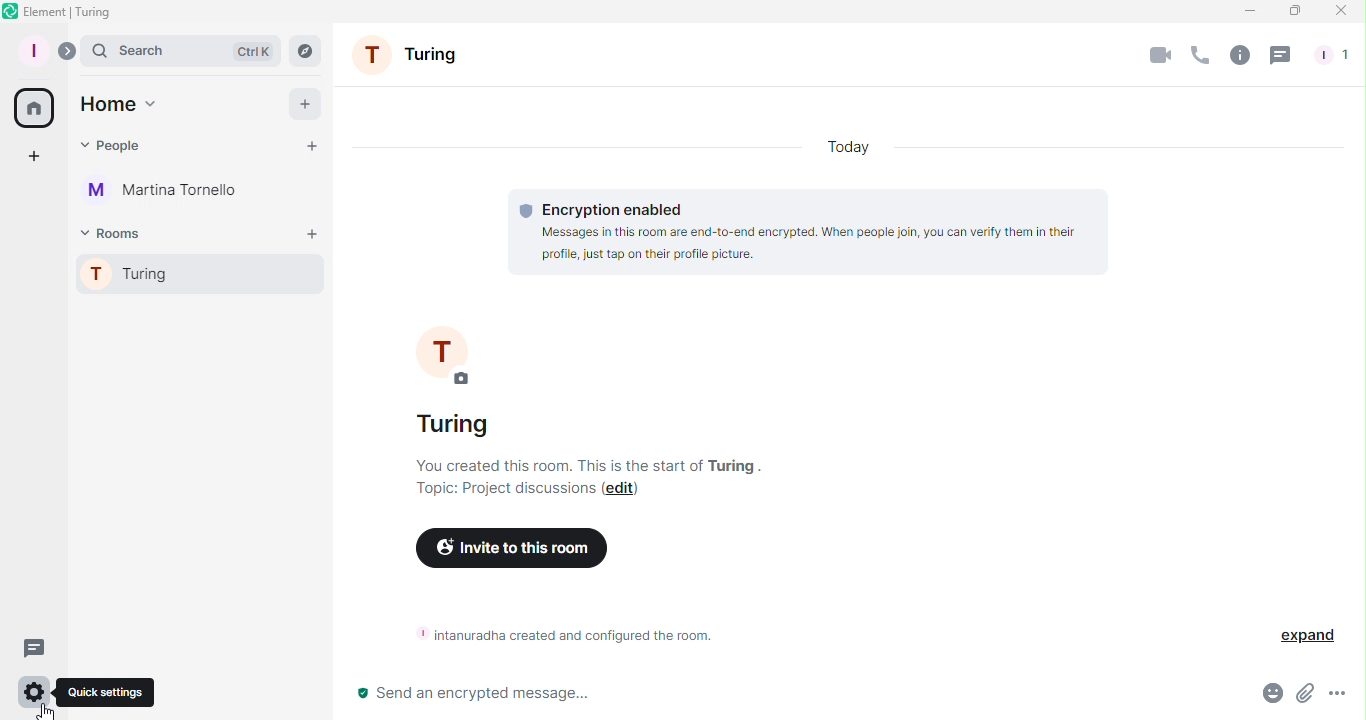  I want to click on Expand, so click(68, 53).